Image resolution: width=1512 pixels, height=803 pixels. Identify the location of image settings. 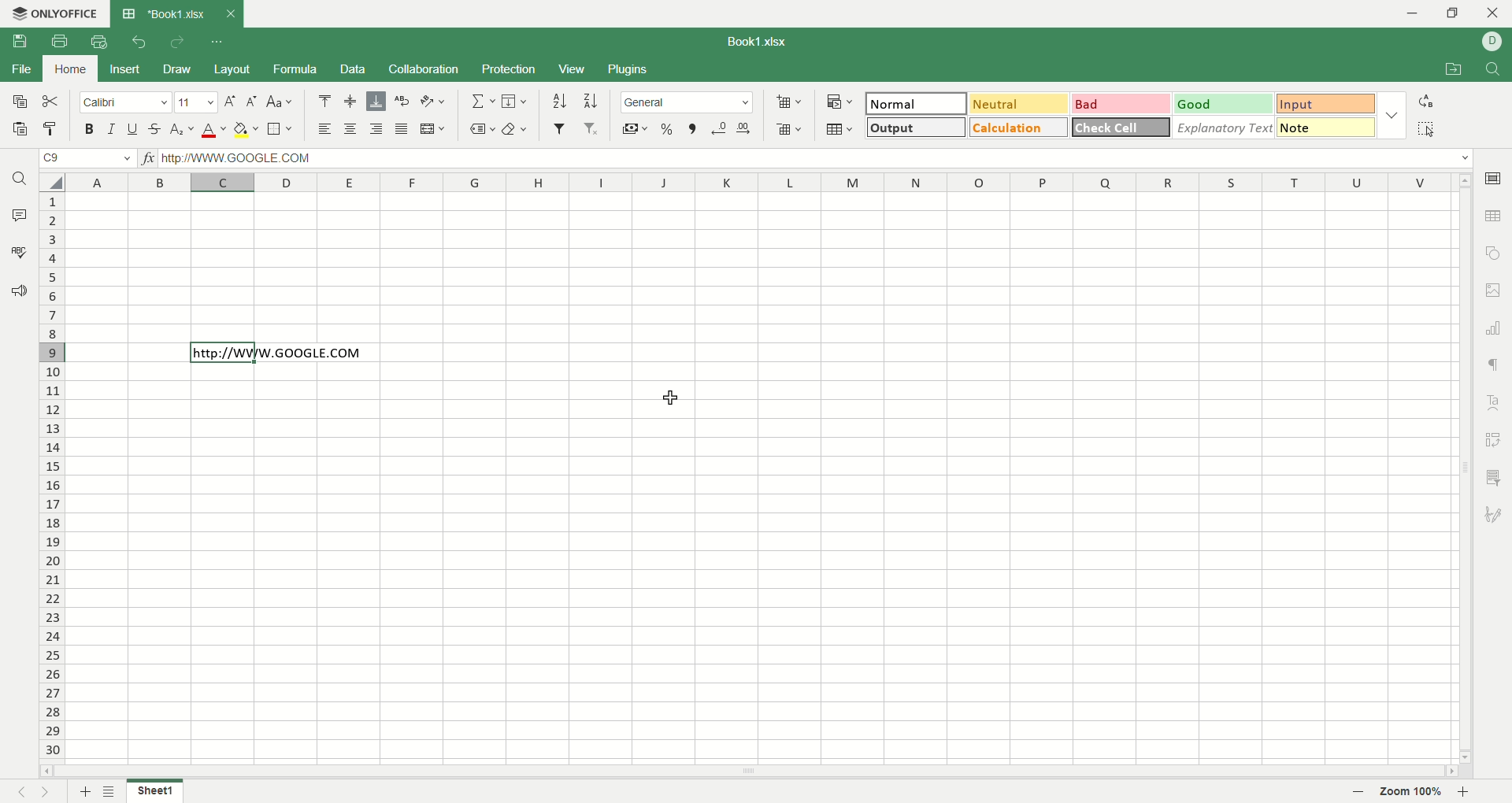
(1495, 290).